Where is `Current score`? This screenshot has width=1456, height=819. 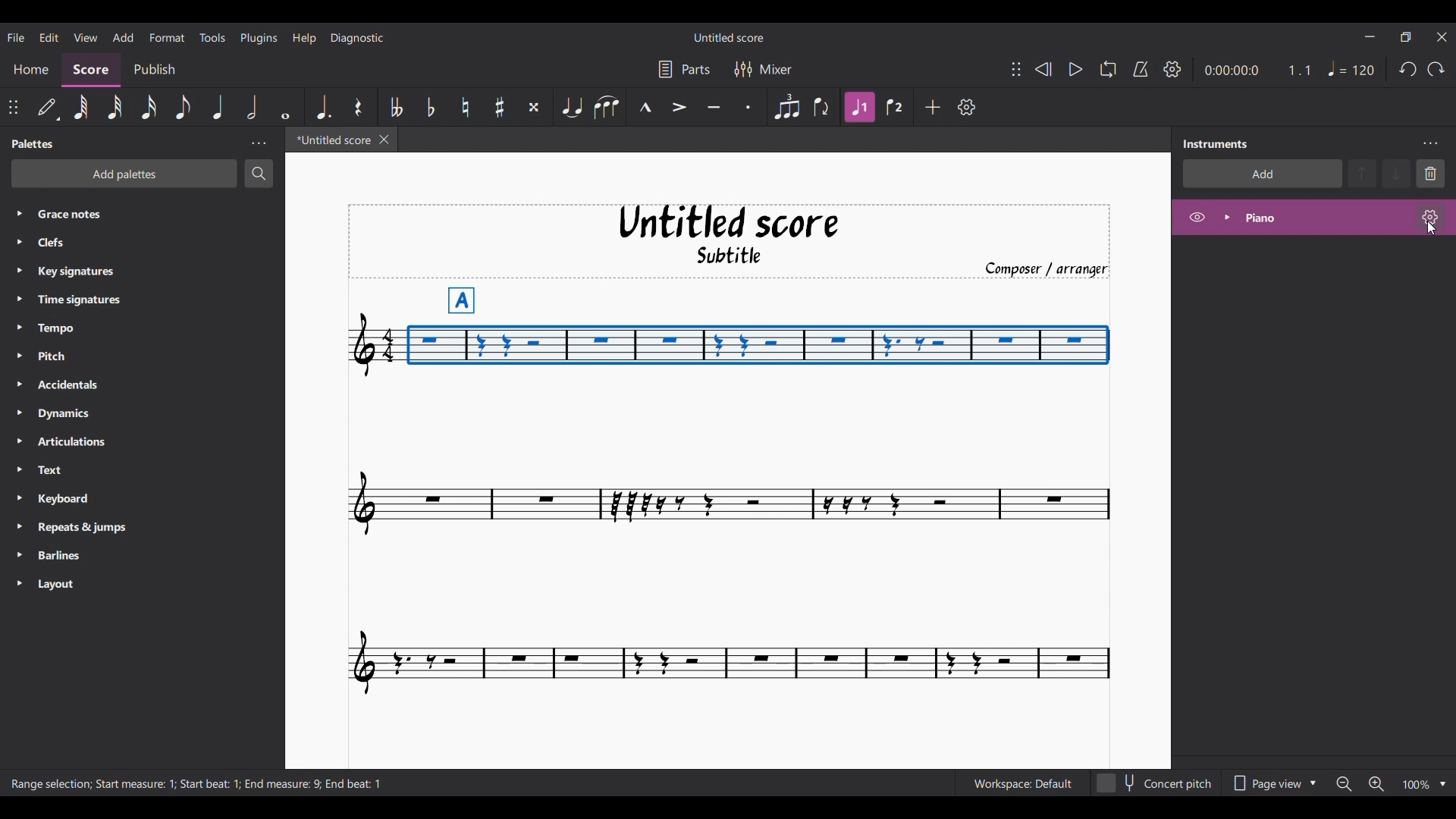 Current score is located at coordinates (730, 557).